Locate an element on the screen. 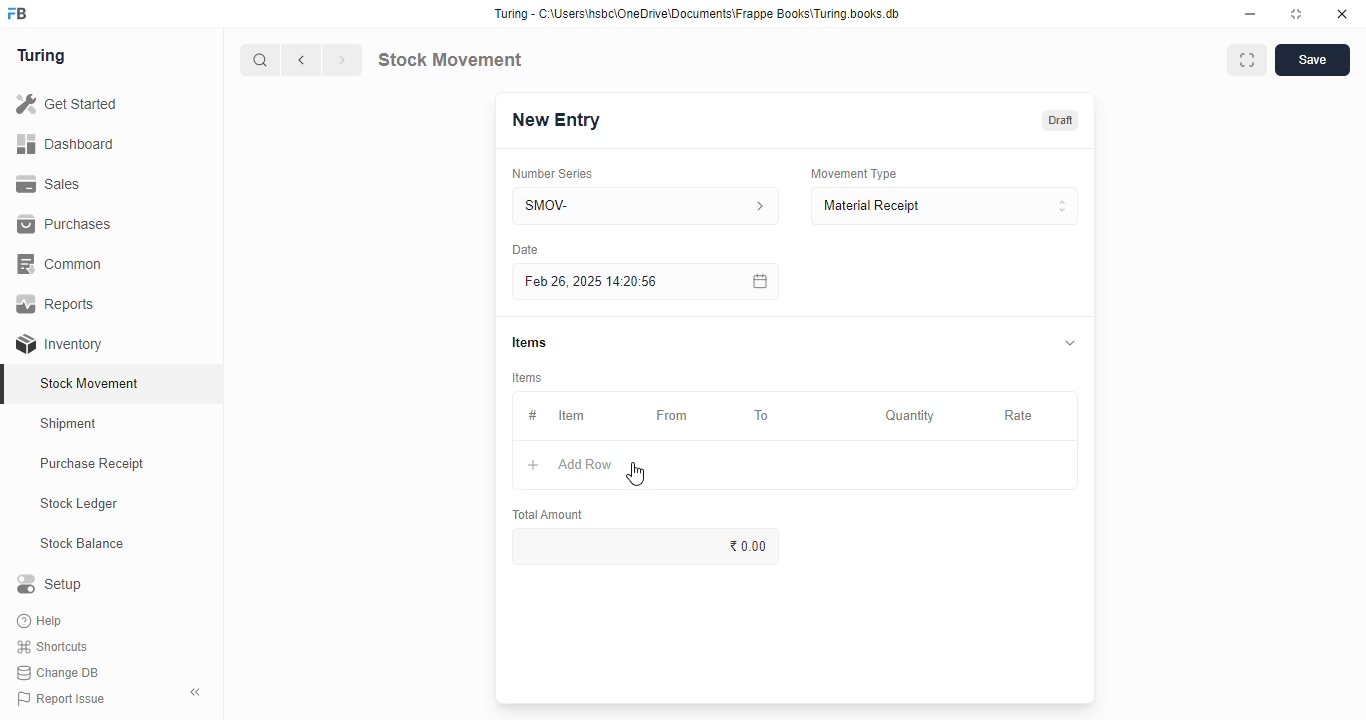 Image resolution: width=1366 pixels, height=720 pixels. quantity is located at coordinates (910, 416).